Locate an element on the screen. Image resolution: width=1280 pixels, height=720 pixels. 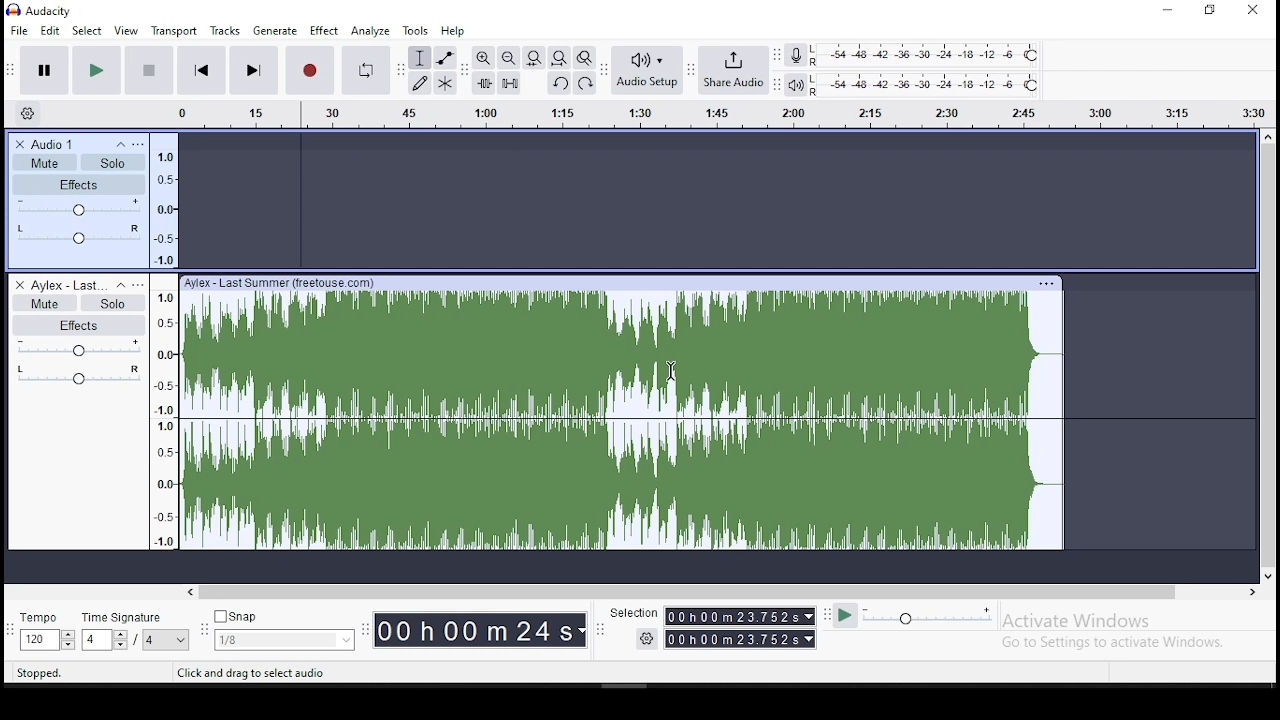
skip to start is located at coordinates (203, 70).